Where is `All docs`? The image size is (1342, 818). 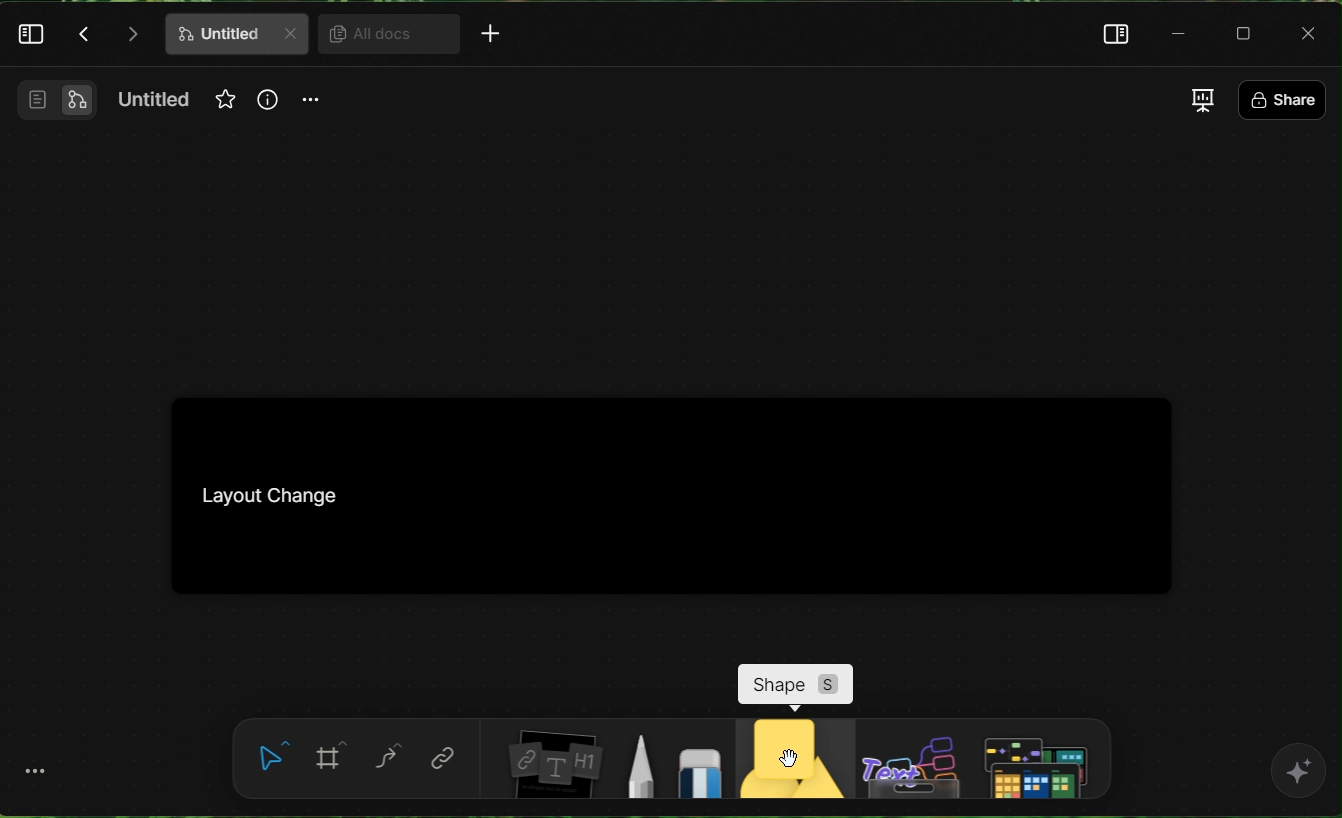 All docs is located at coordinates (381, 35).